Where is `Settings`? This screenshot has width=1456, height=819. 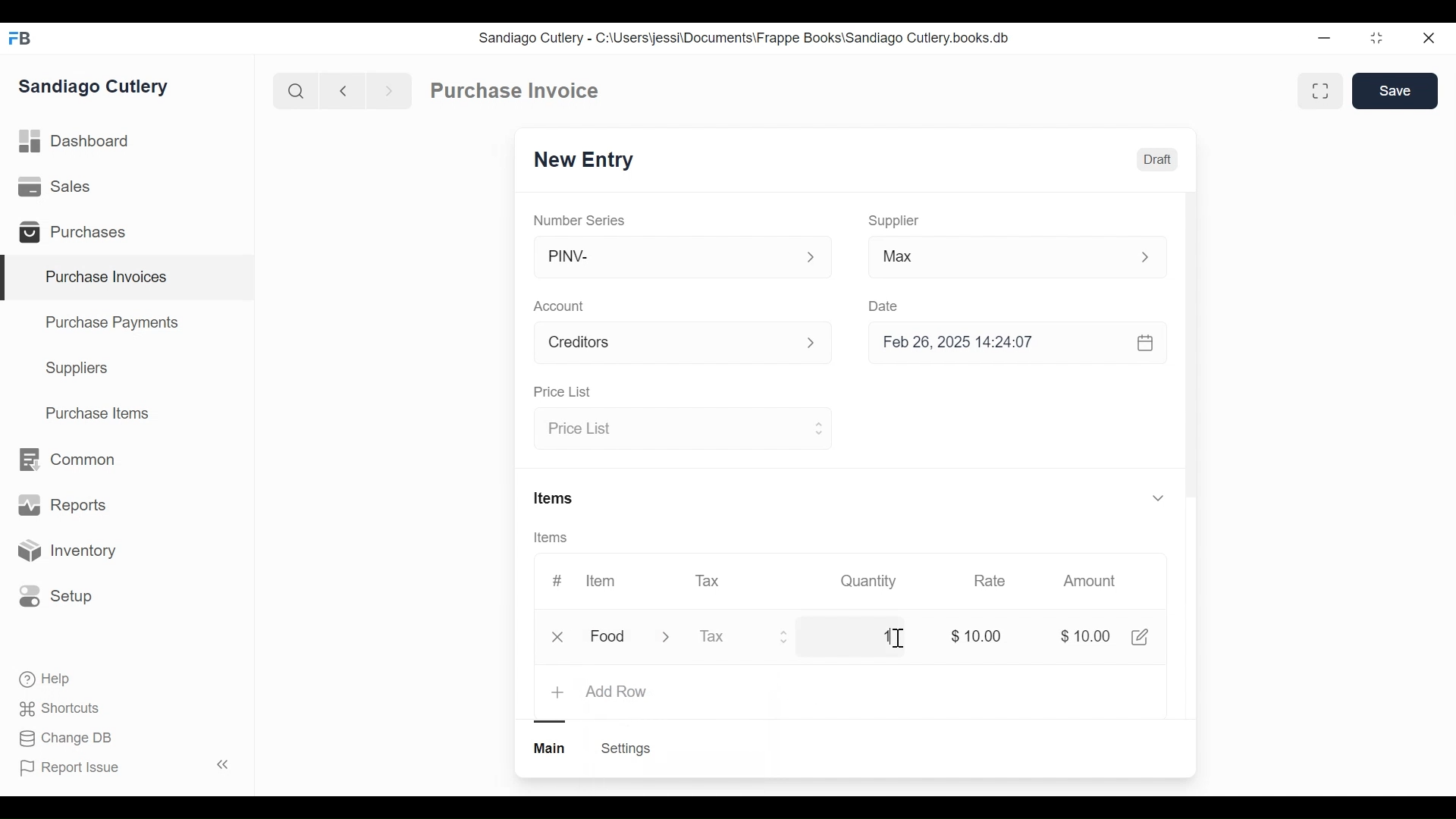 Settings is located at coordinates (625, 748).